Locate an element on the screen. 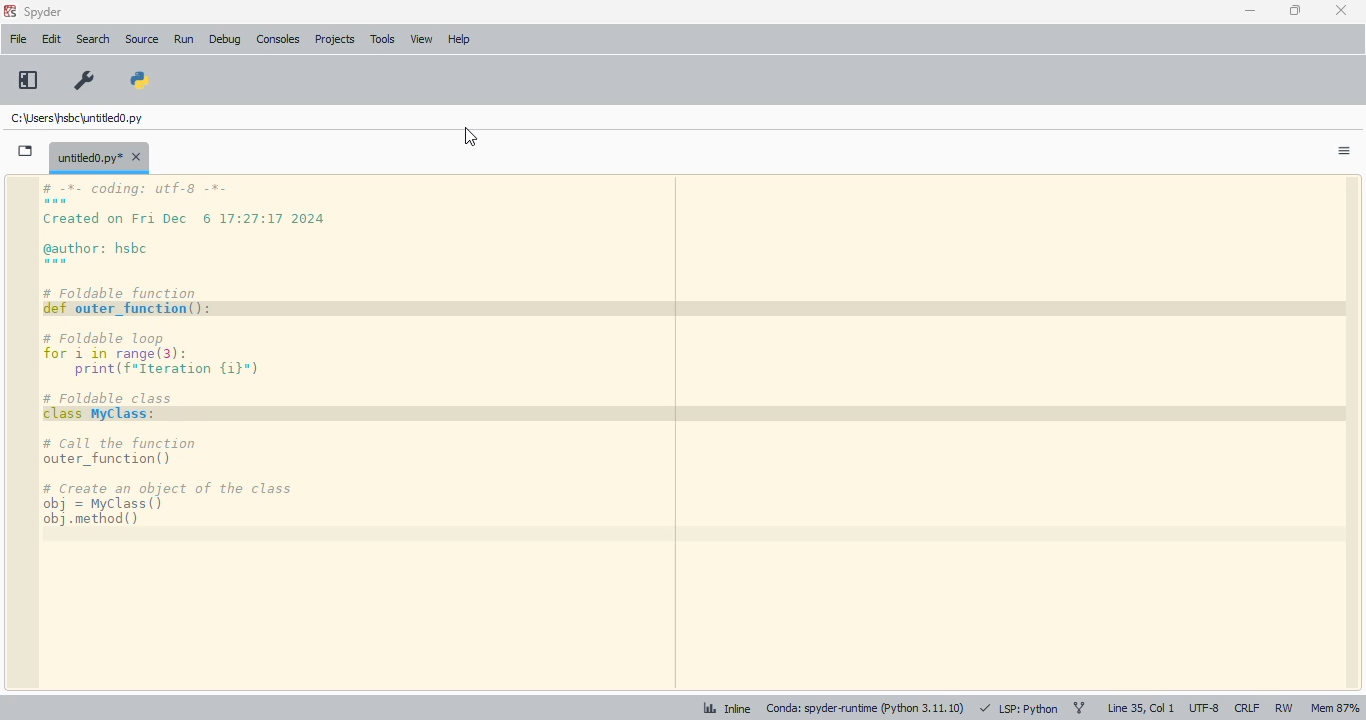 The height and width of the screenshot is (720, 1366). preferences is located at coordinates (85, 79).